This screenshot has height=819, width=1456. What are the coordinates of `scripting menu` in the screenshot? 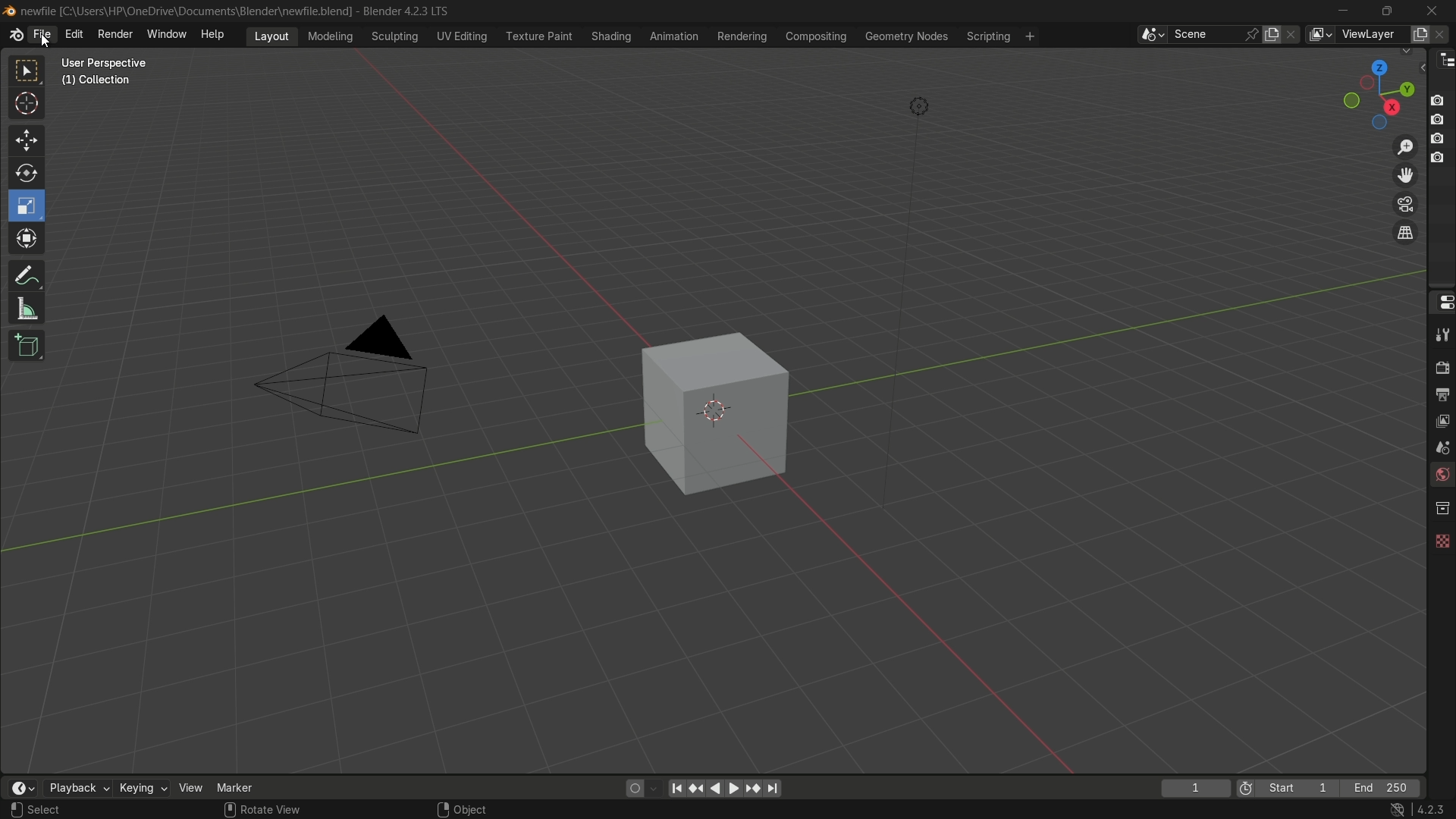 It's located at (987, 36).